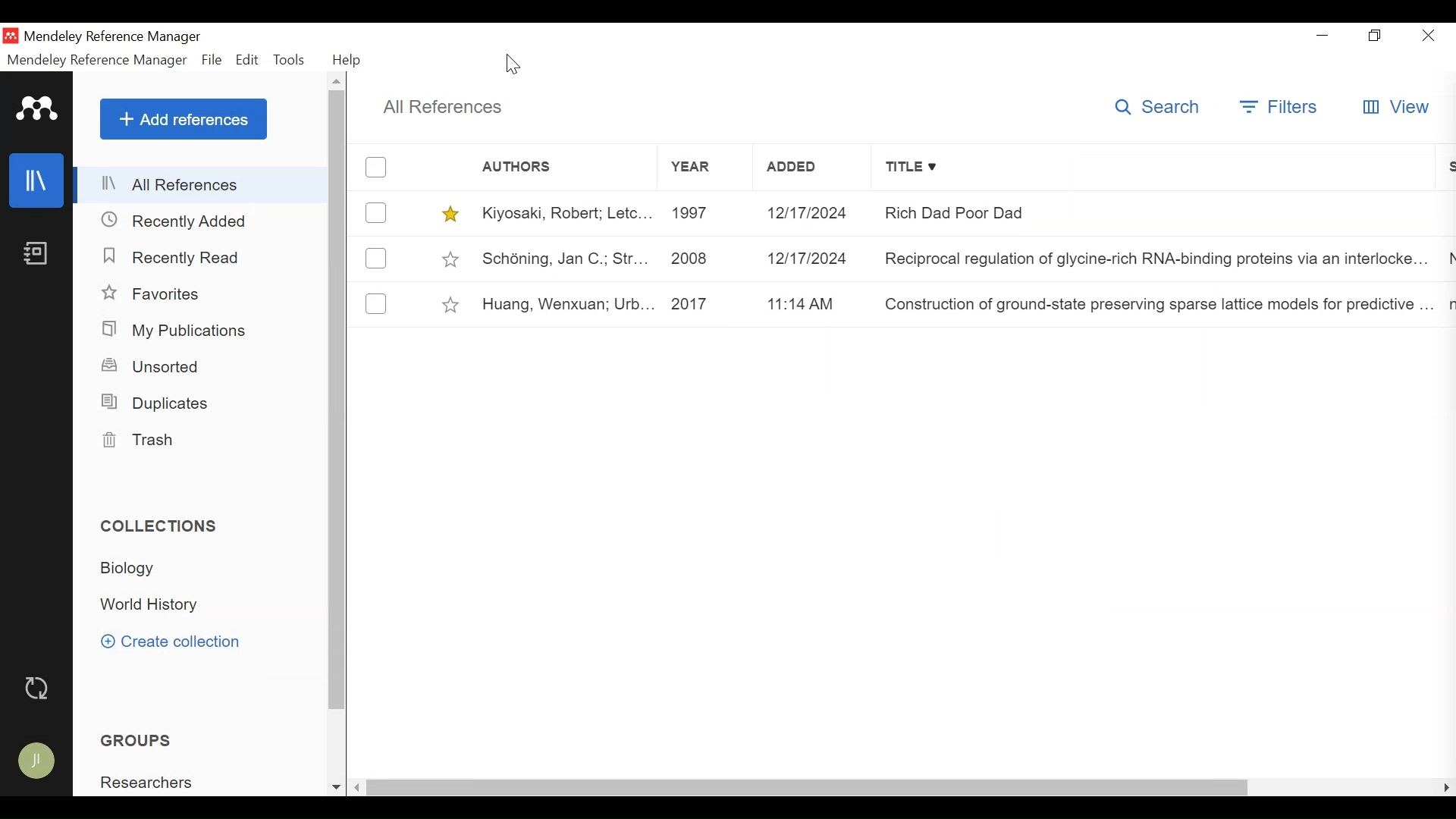 Image resolution: width=1456 pixels, height=819 pixels. Describe the element at coordinates (450, 259) in the screenshot. I see `Toggle Favorites` at that location.